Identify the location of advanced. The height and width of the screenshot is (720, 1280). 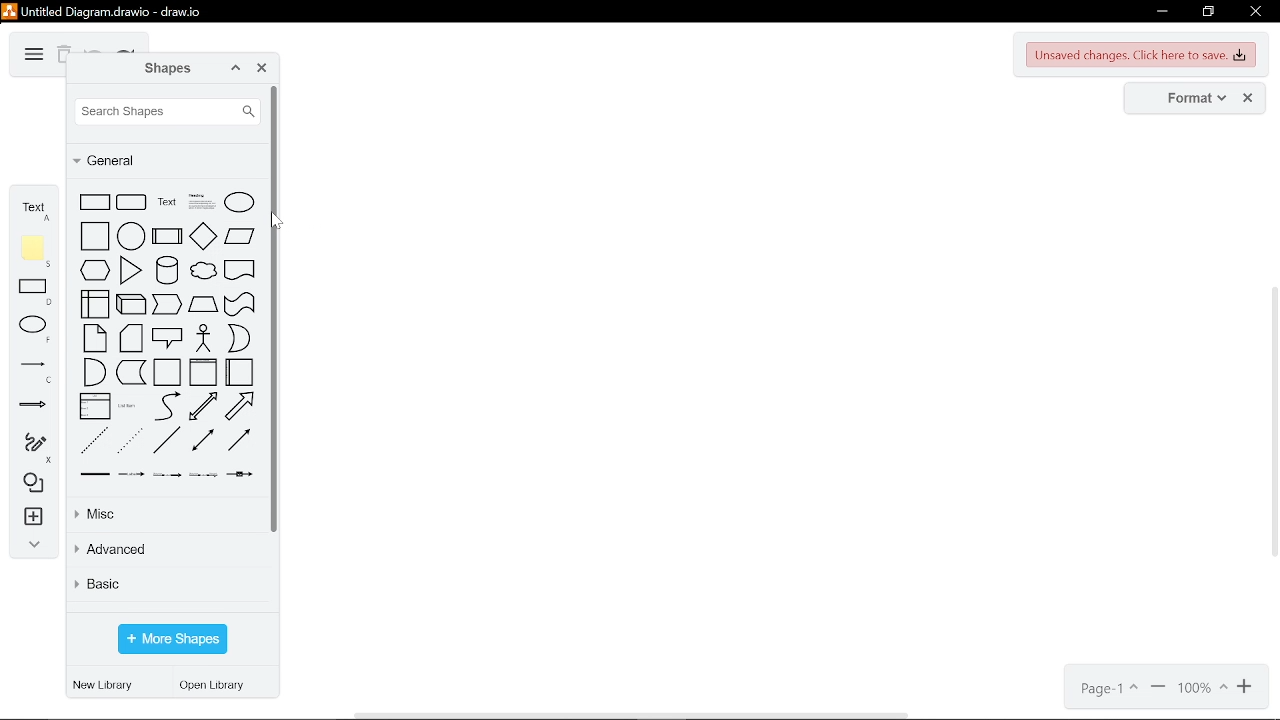
(164, 551).